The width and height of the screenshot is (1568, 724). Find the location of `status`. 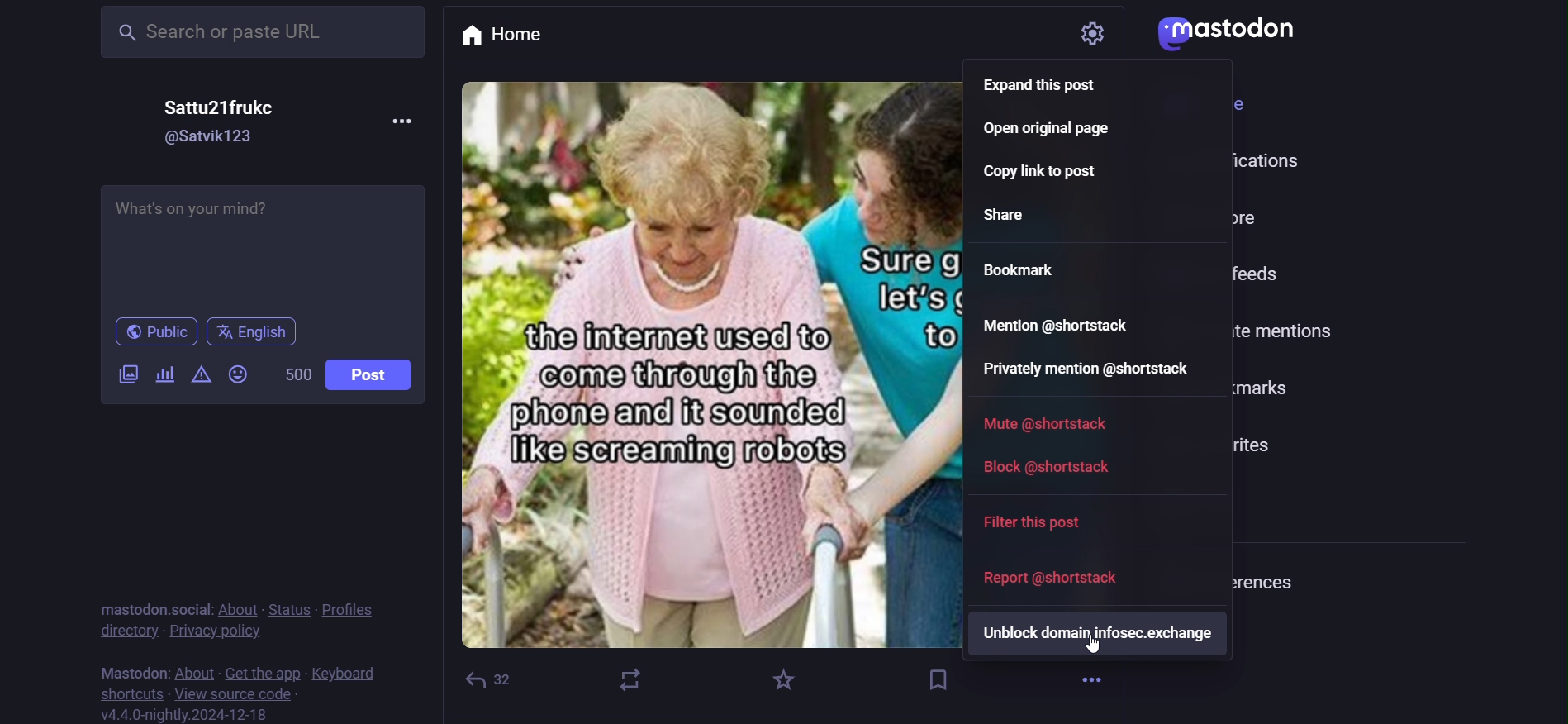

status is located at coordinates (291, 606).